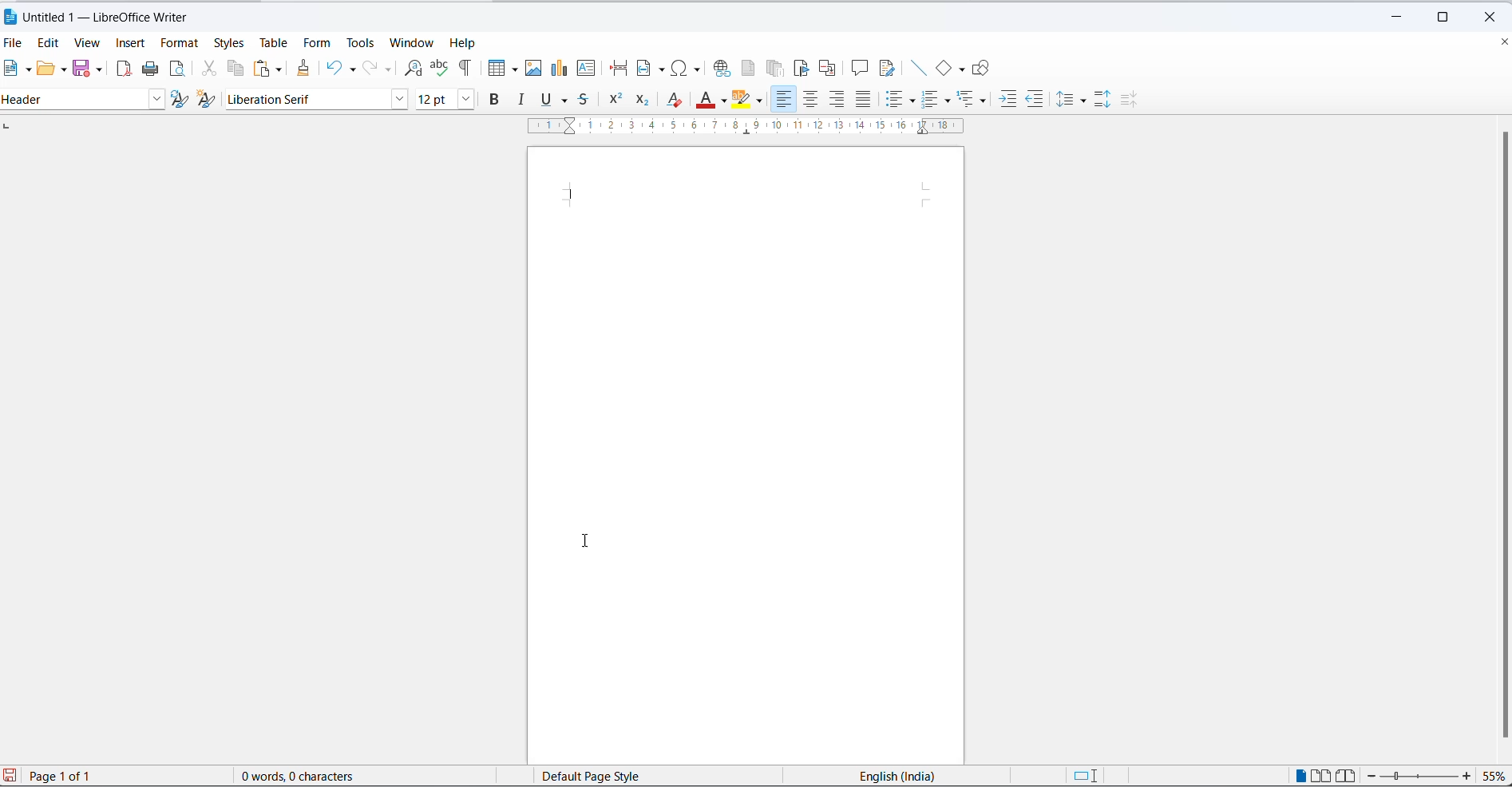  Describe the element at coordinates (493, 68) in the screenshot. I see `insert table` at that location.